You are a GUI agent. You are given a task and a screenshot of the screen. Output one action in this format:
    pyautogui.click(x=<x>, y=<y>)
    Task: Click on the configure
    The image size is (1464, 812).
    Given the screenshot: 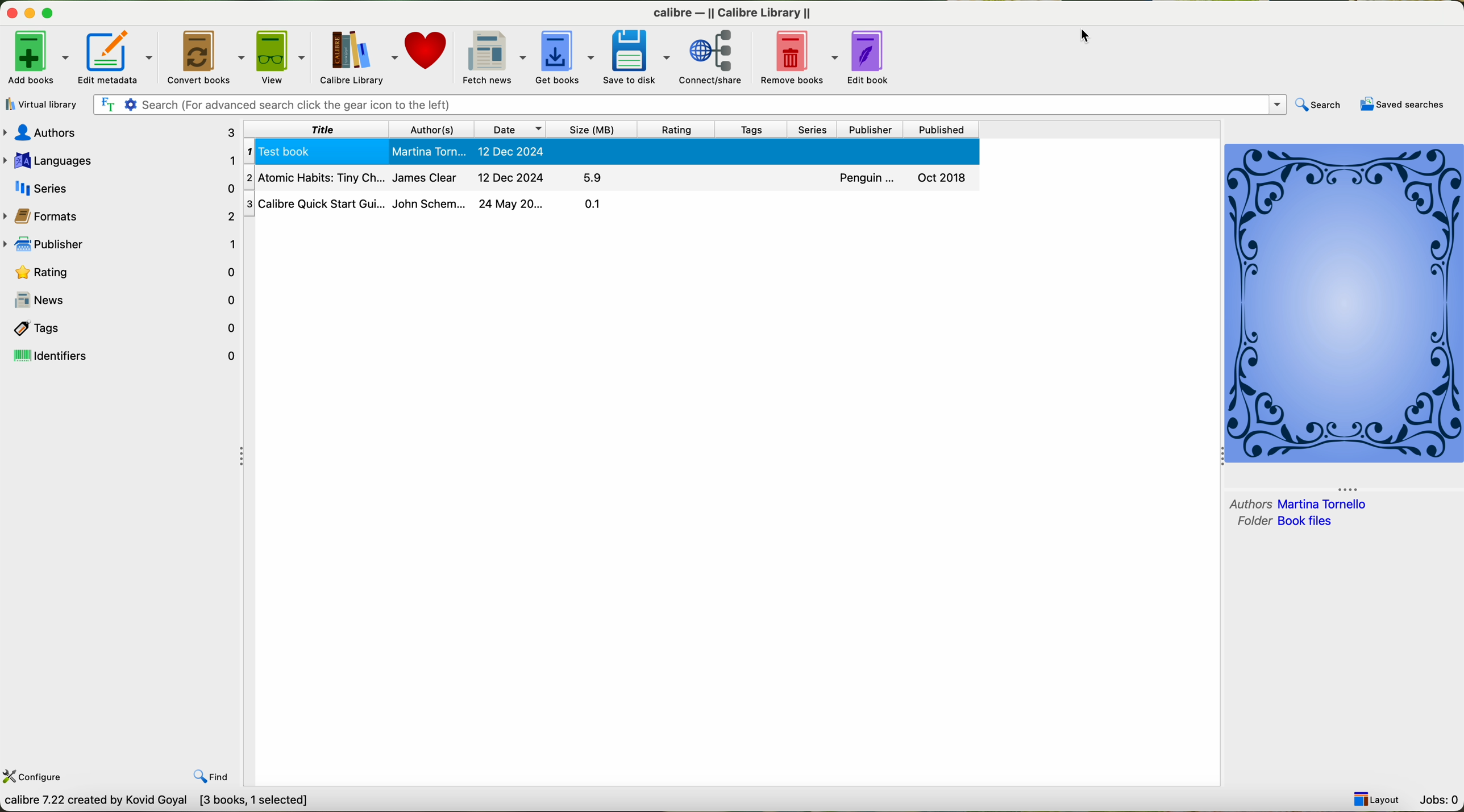 What is the action you would take?
    pyautogui.click(x=35, y=777)
    